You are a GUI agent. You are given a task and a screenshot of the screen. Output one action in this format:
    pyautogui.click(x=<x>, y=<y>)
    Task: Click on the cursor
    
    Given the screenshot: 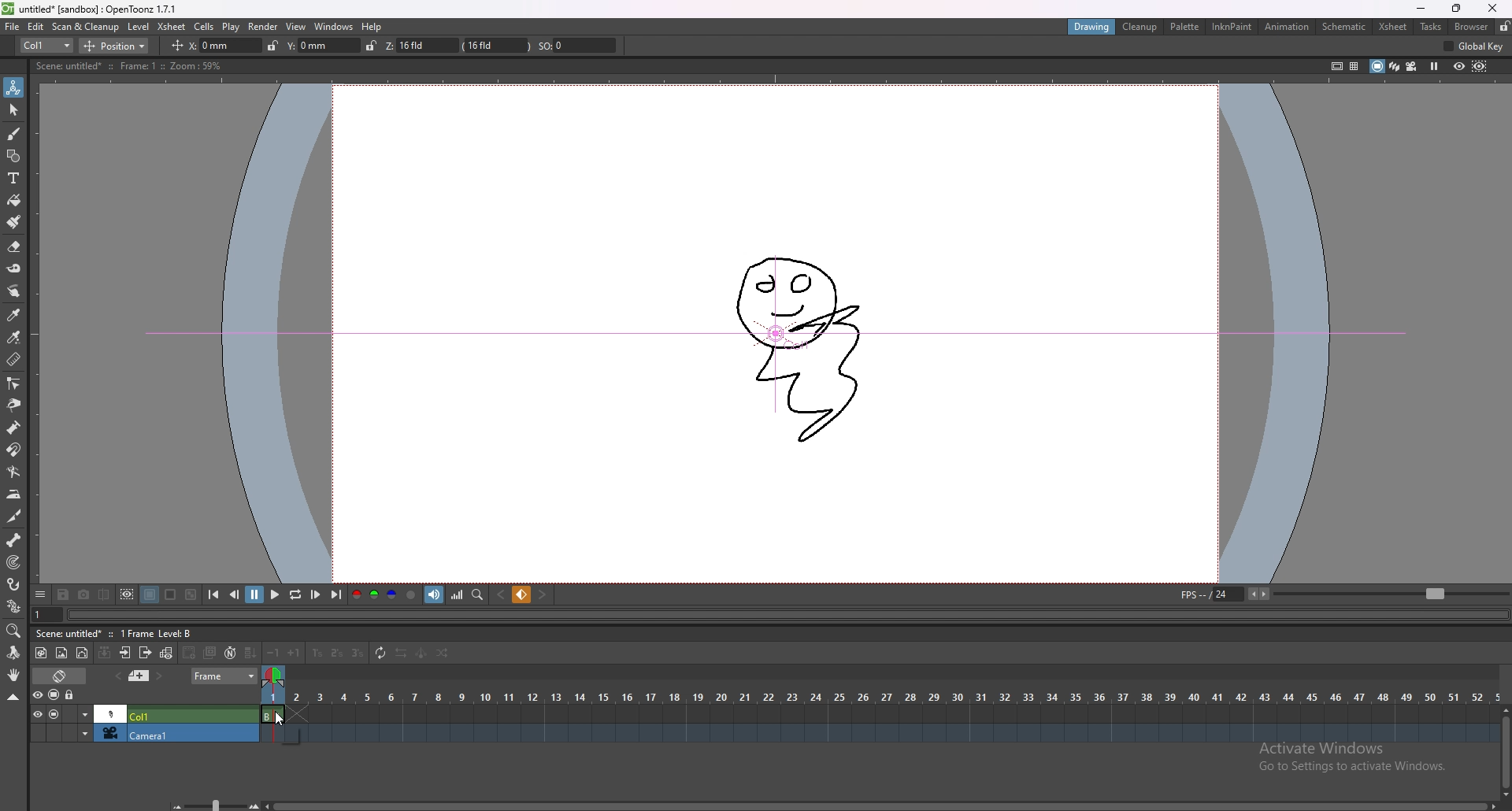 What is the action you would take?
    pyautogui.click(x=280, y=717)
    